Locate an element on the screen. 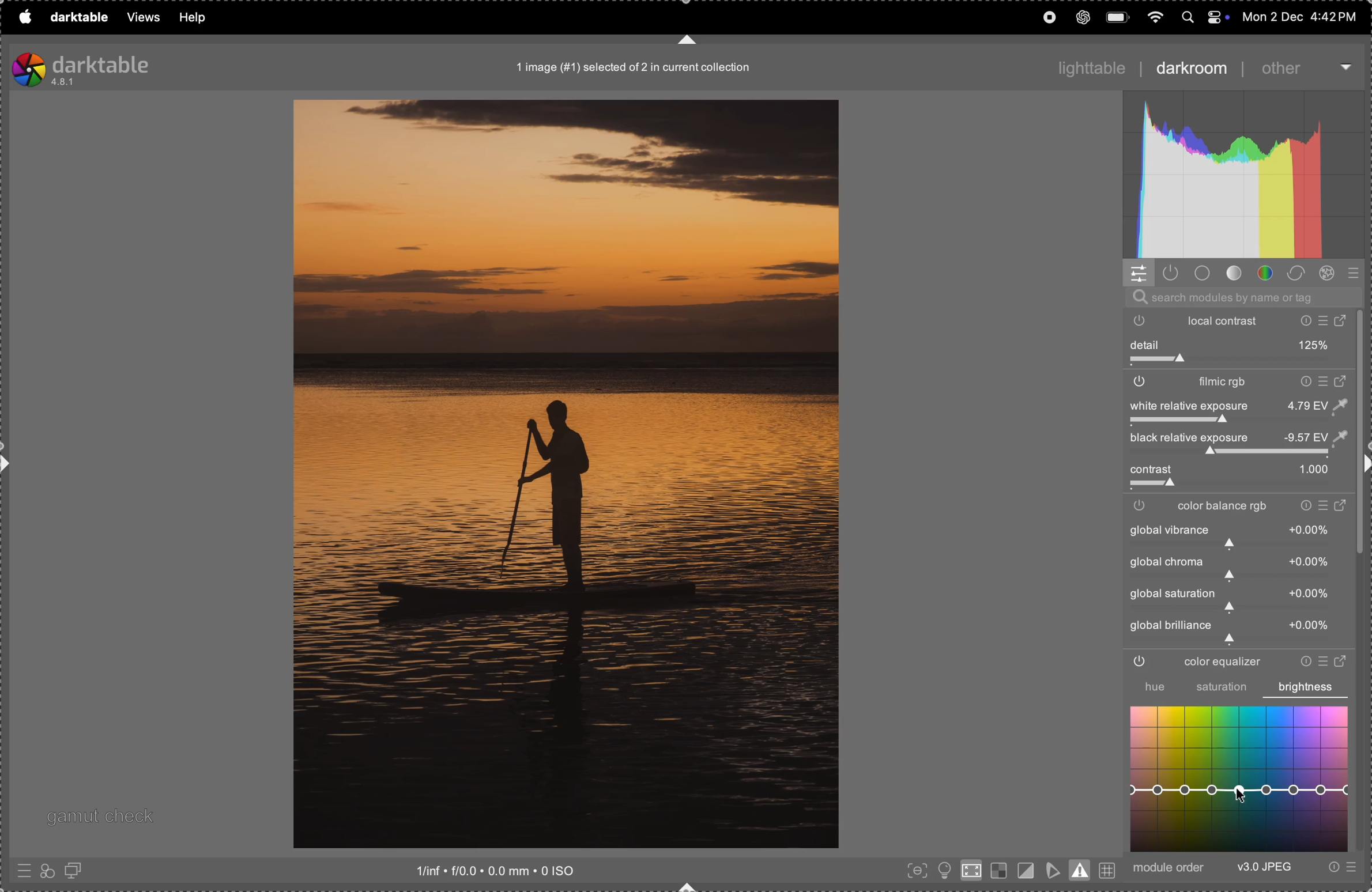  presets is located at coordinates (22, 873).